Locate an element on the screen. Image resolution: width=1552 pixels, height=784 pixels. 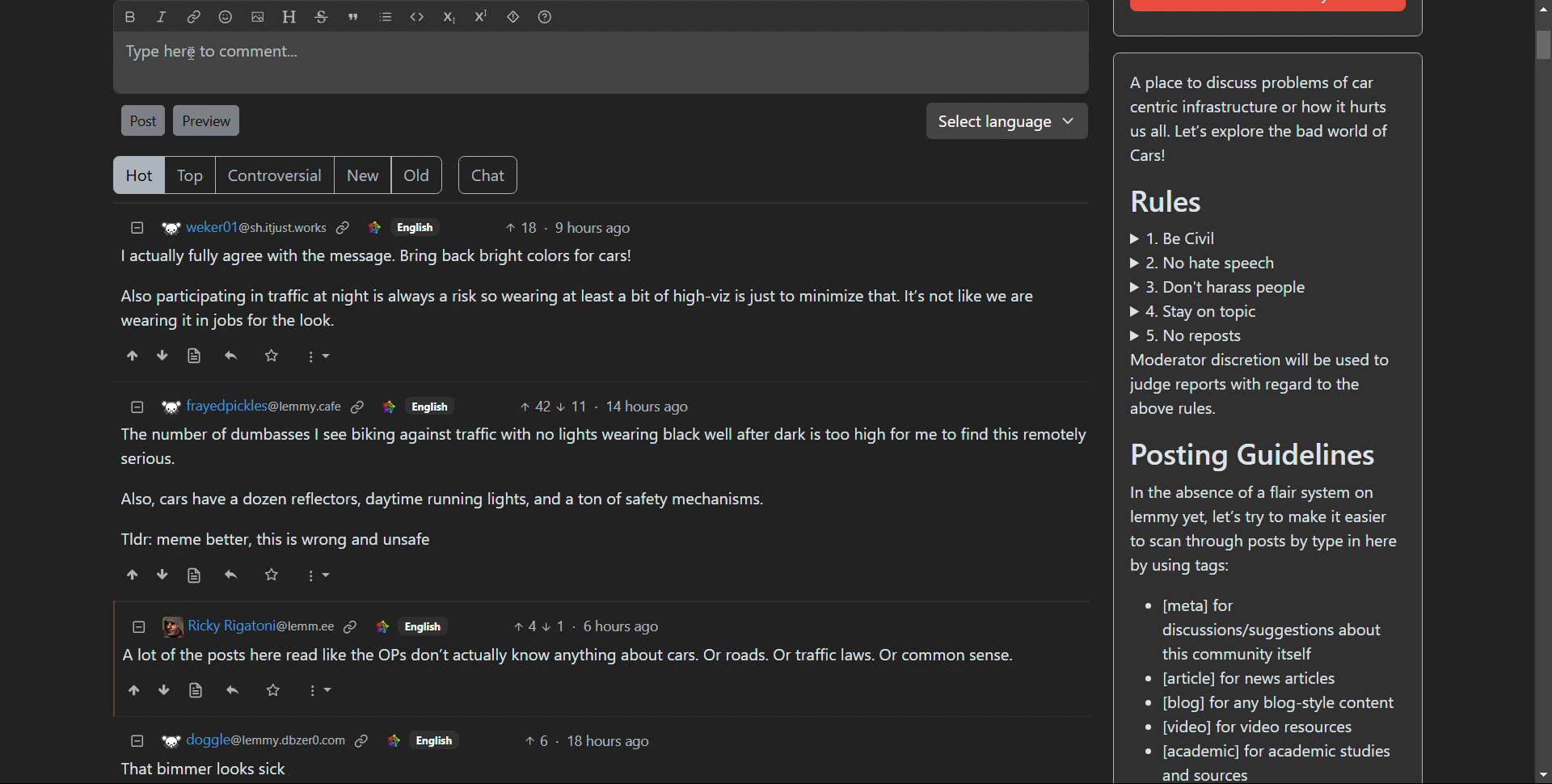
scroll up is located at coordinates (1541, 8).